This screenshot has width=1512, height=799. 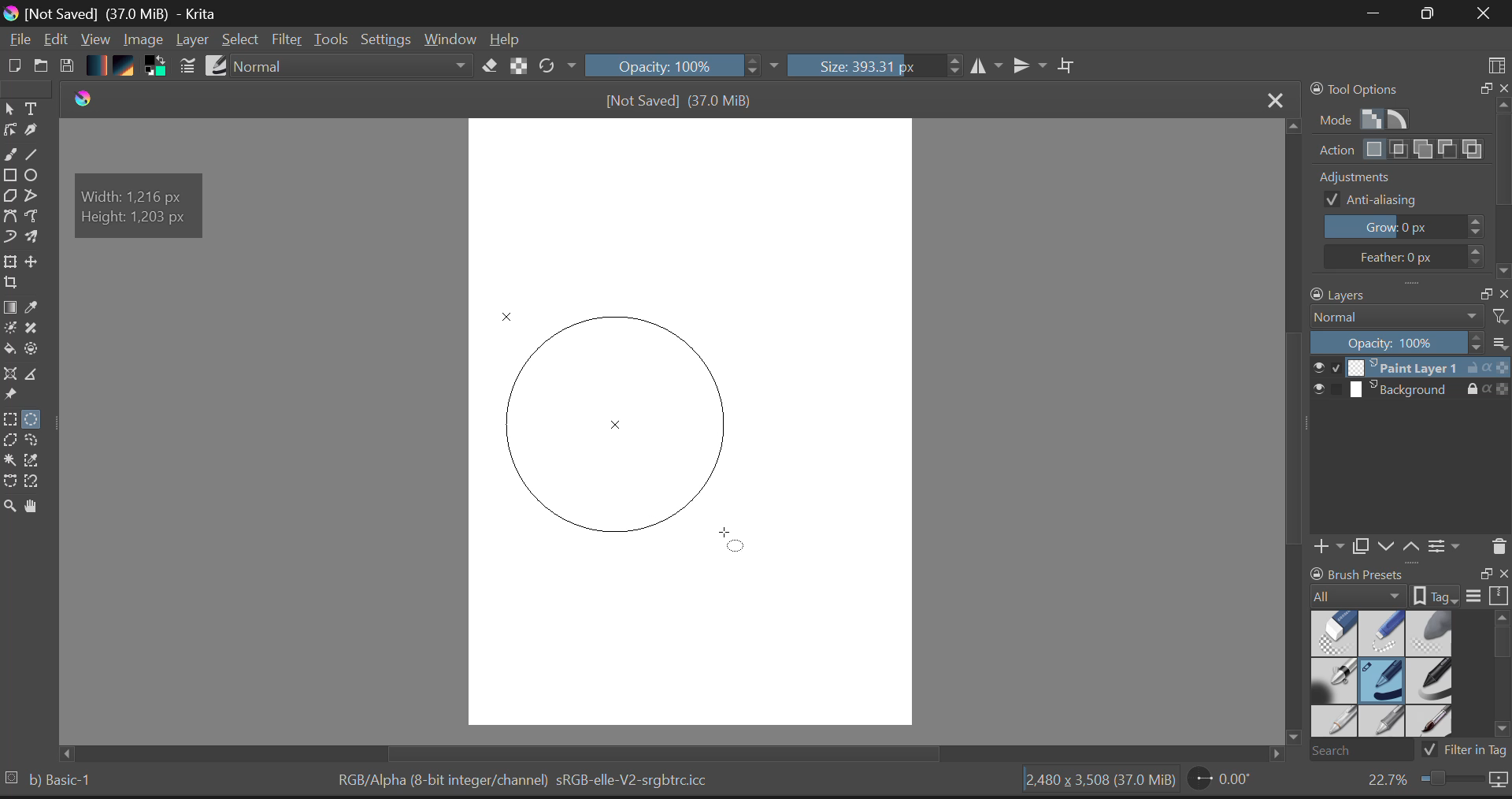 What do you see at coordinates (1423, 13) in the screenshot?
I see `Minimize` at bounding box center [1423, 13].